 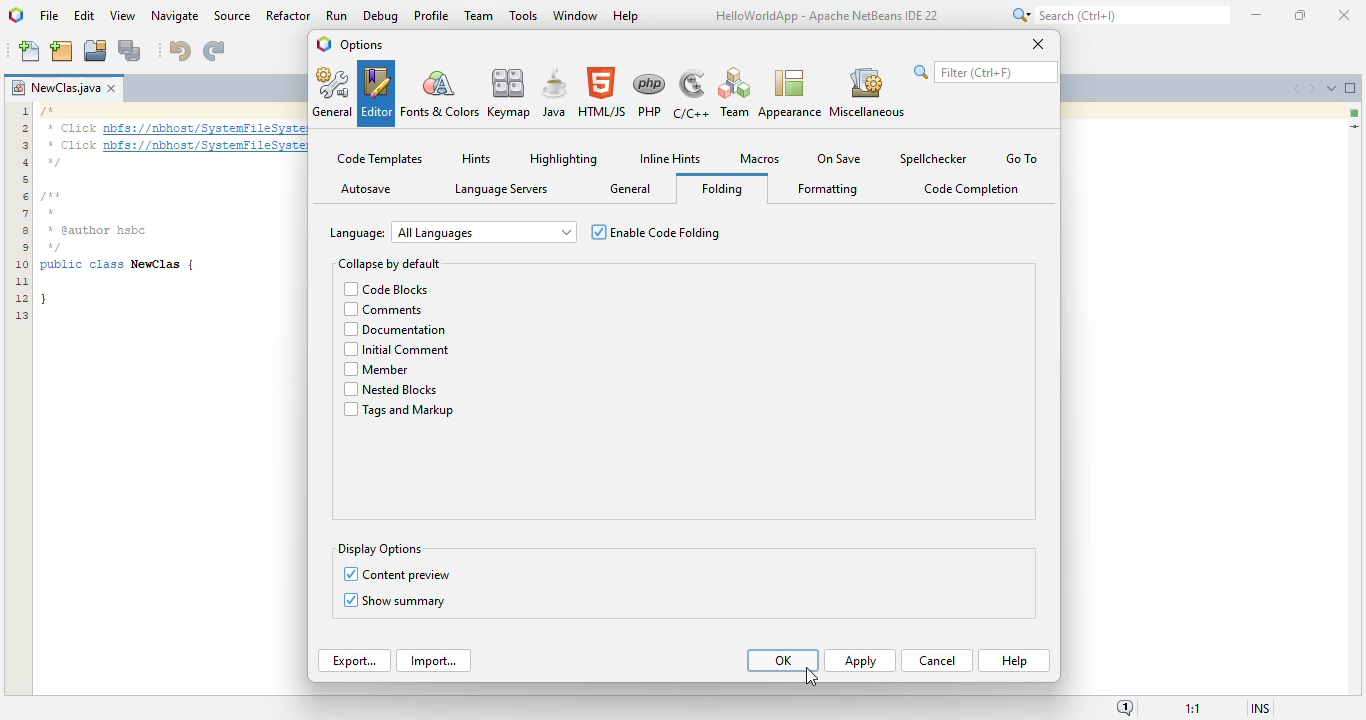 I want to click on fonts & color, so click(x=440, y=91).